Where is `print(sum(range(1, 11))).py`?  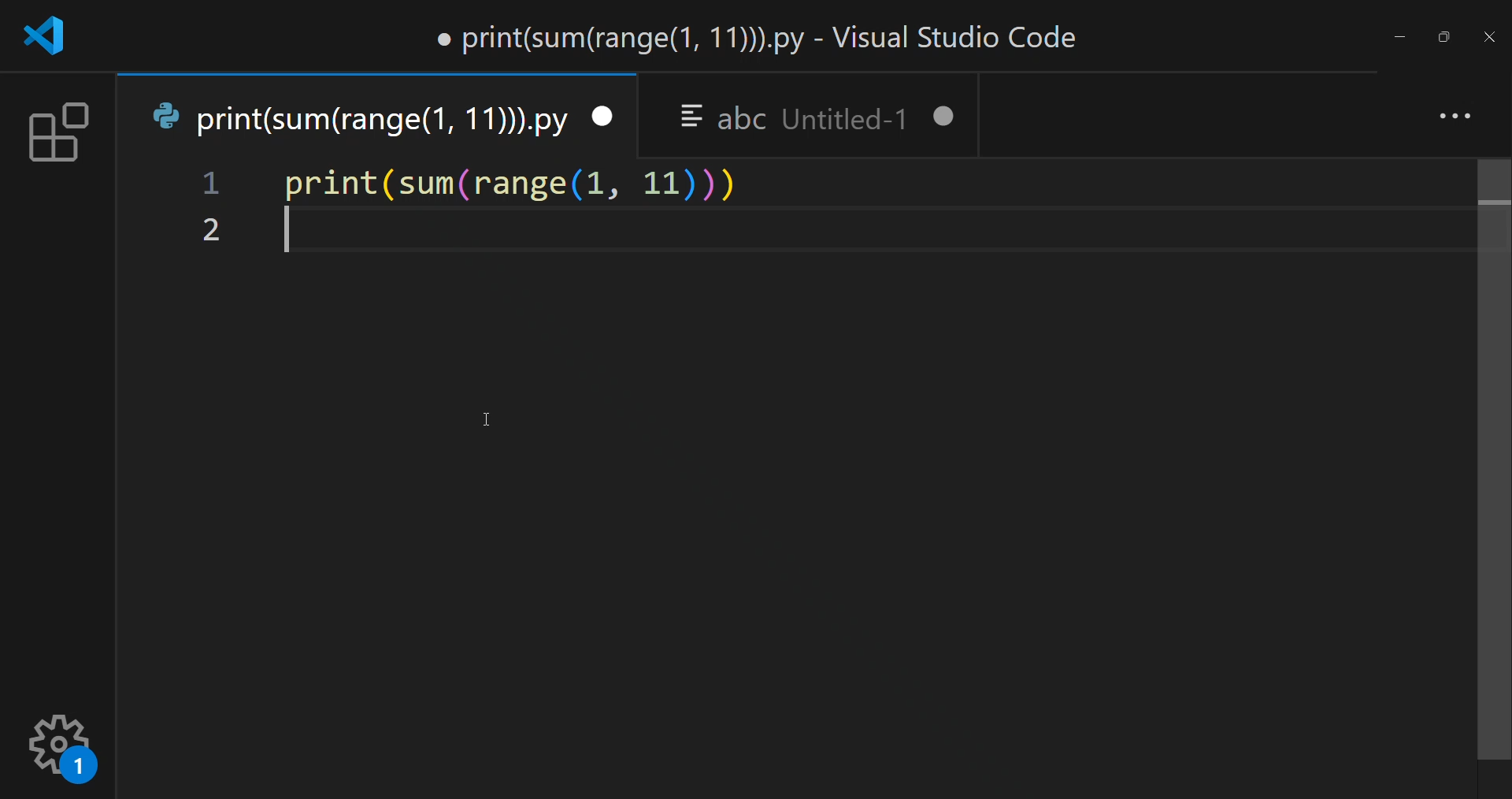 print(sum(range(1, 11))).py is located at coordinates (350, 118).